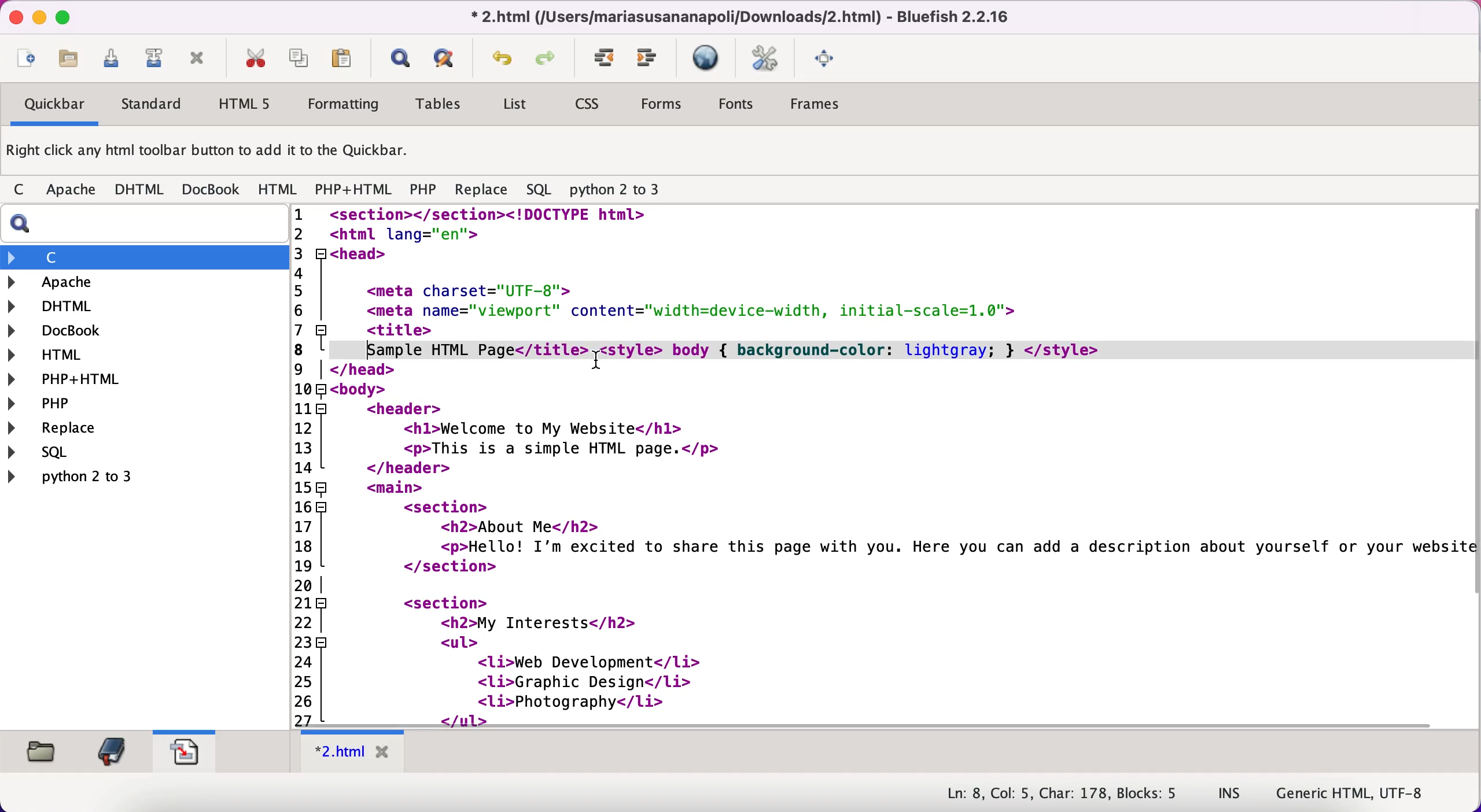 This screenshot has height=812, width=1481. Describe the element at coordinates (242, 104) in the screenshot. I see `html5` at that location.